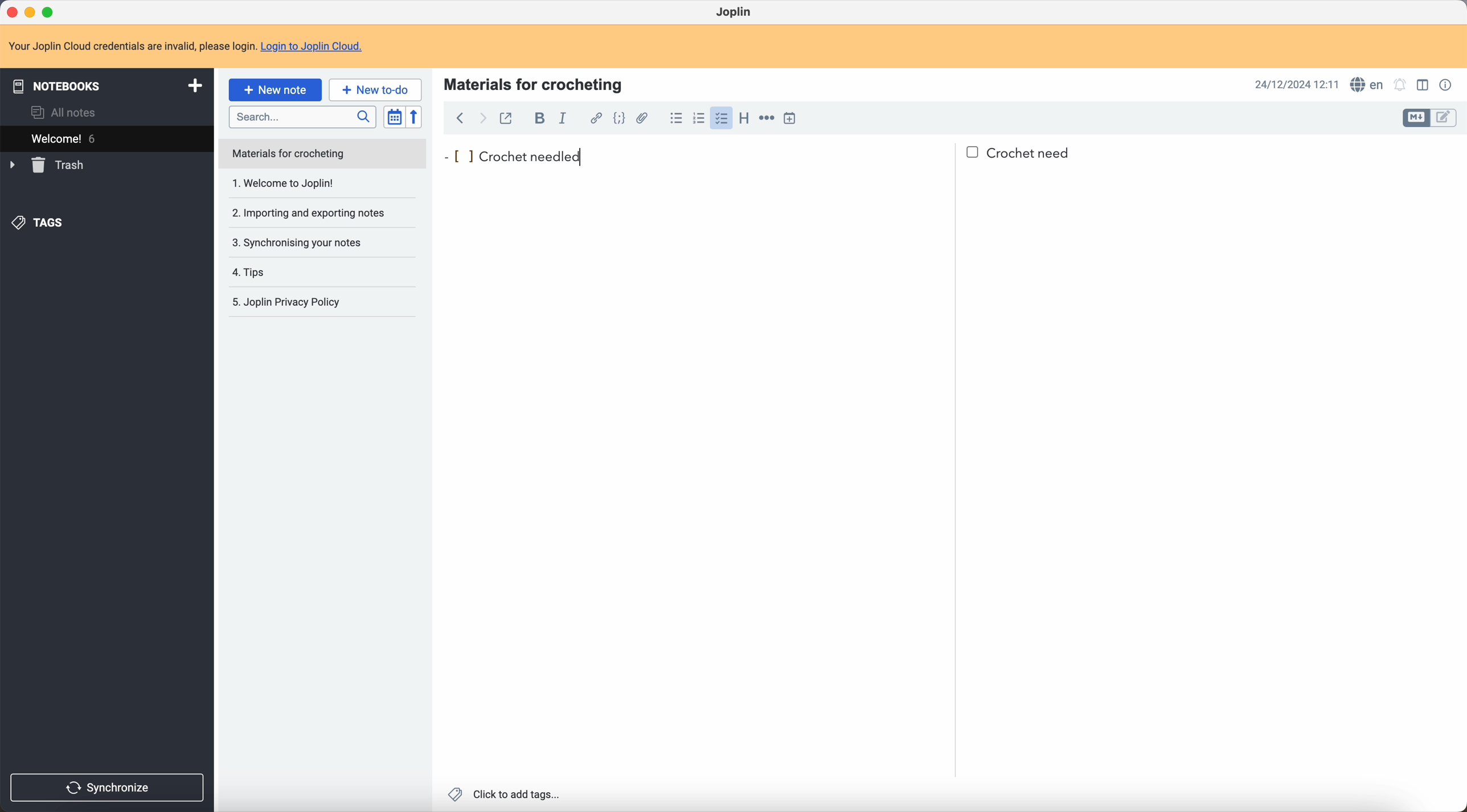  What do you see at coordinates (49, 165) in the screenshot?
I see `trash` at bounding box center [49, 165].